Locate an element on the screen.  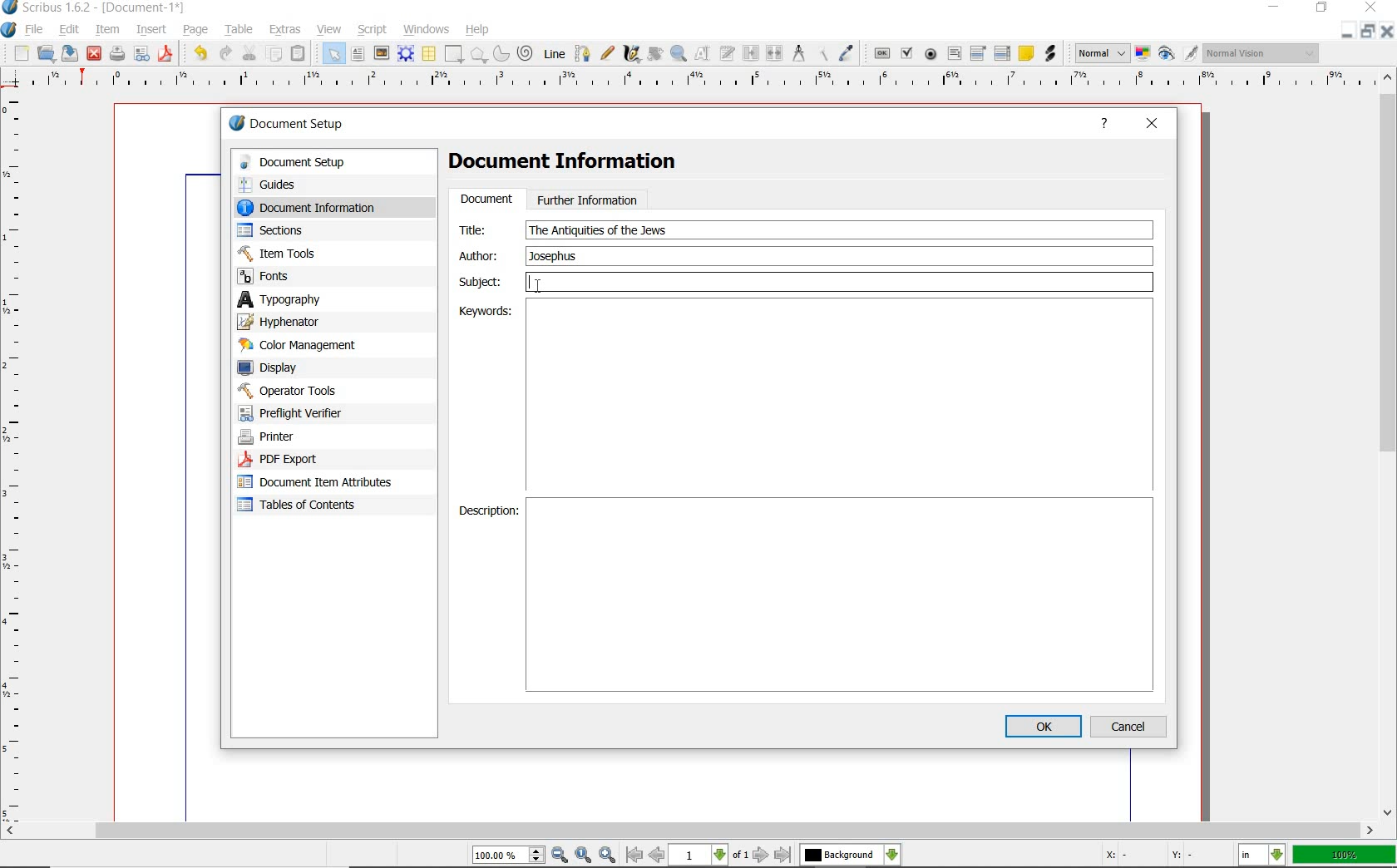
Description is located at coordinates (486, 510).